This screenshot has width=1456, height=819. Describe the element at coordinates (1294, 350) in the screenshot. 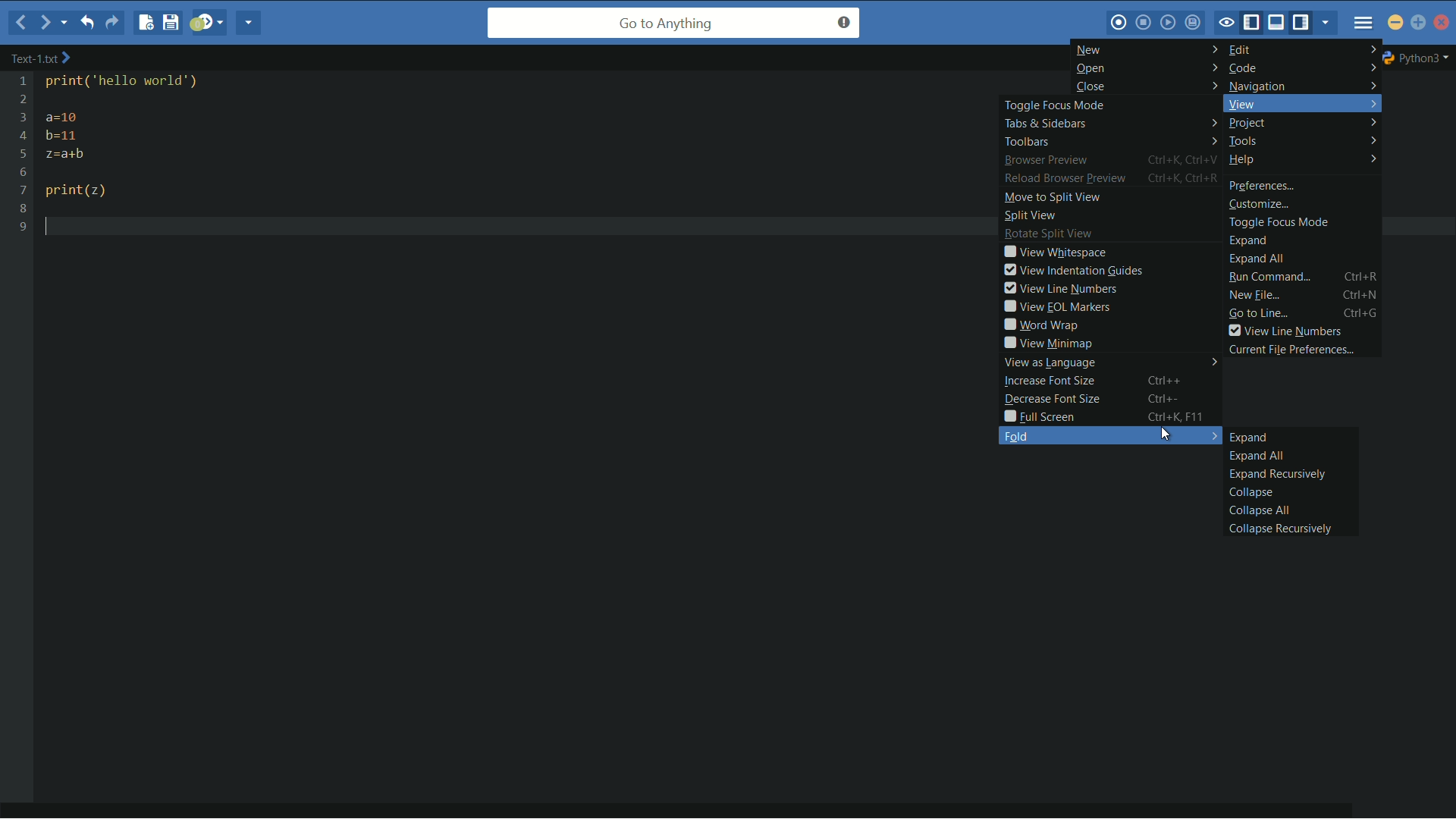

I see `current file preferences` at that location.